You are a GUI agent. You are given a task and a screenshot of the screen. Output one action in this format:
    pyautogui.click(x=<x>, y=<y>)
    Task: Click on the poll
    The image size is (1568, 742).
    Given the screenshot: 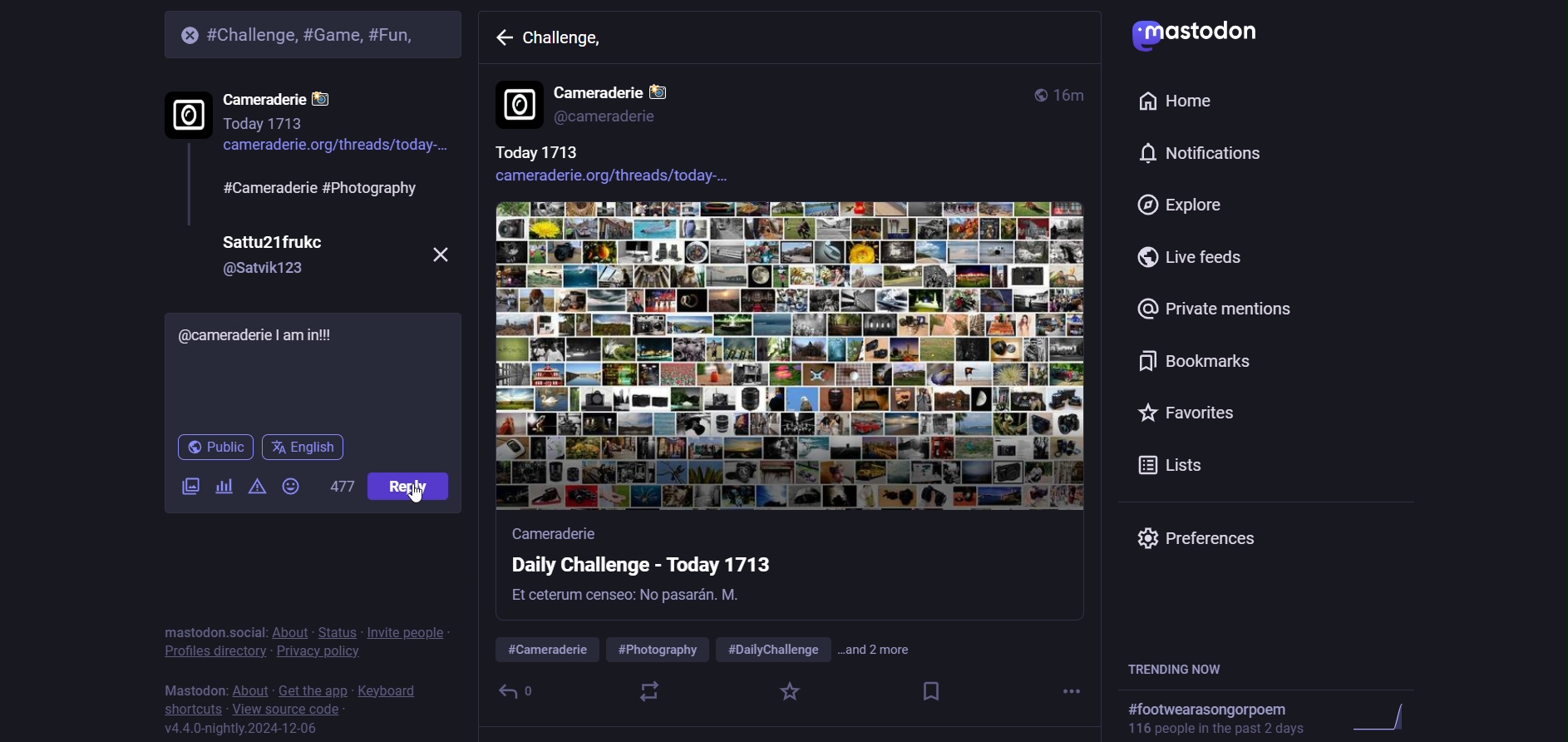 What is the action you would take?
    pyautogui.click(x=220, y=484)
    